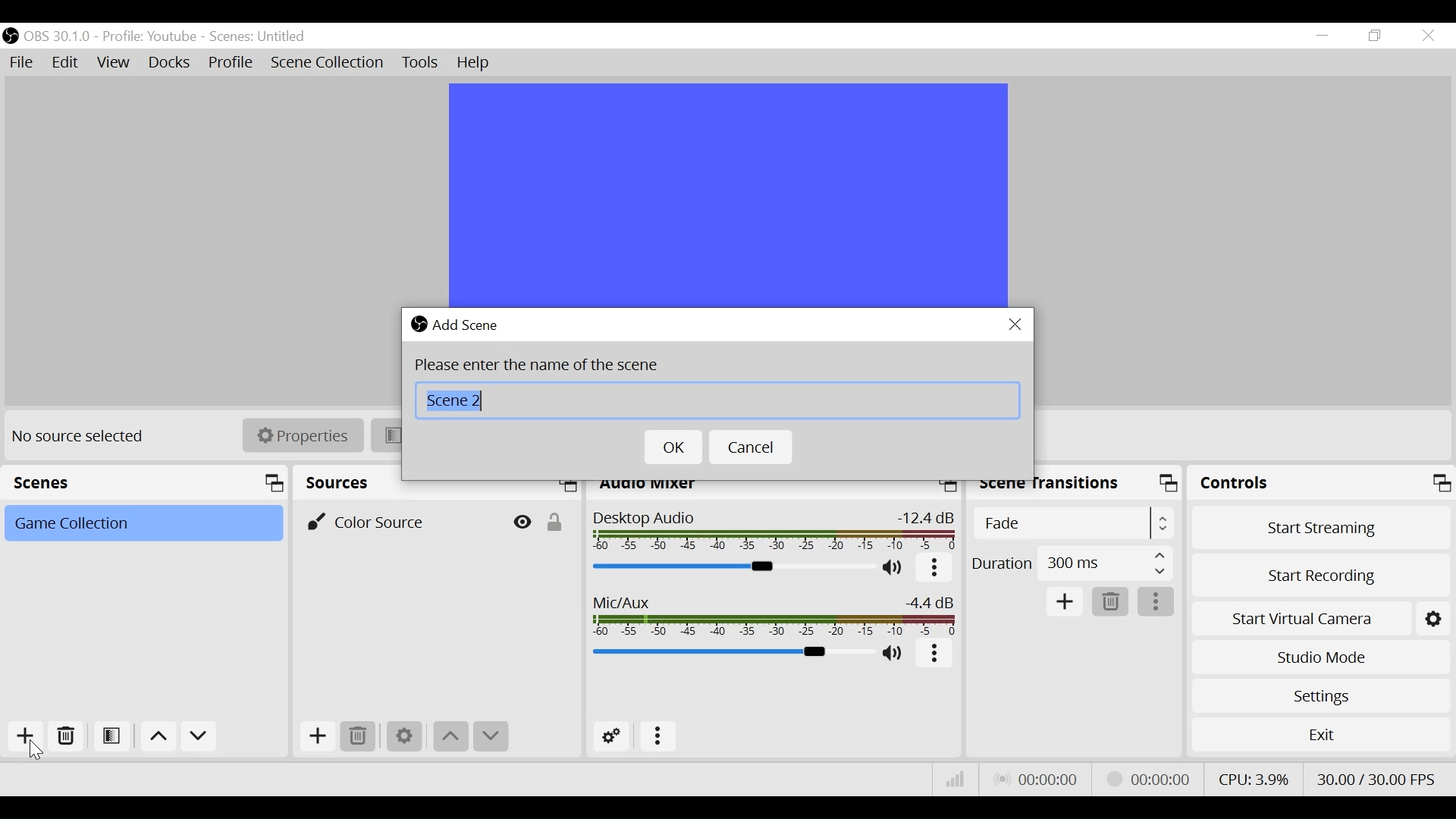  What do you see at coordinates (115, 65) in the screenshot?
I see `View` at bounding box center [115, 65].